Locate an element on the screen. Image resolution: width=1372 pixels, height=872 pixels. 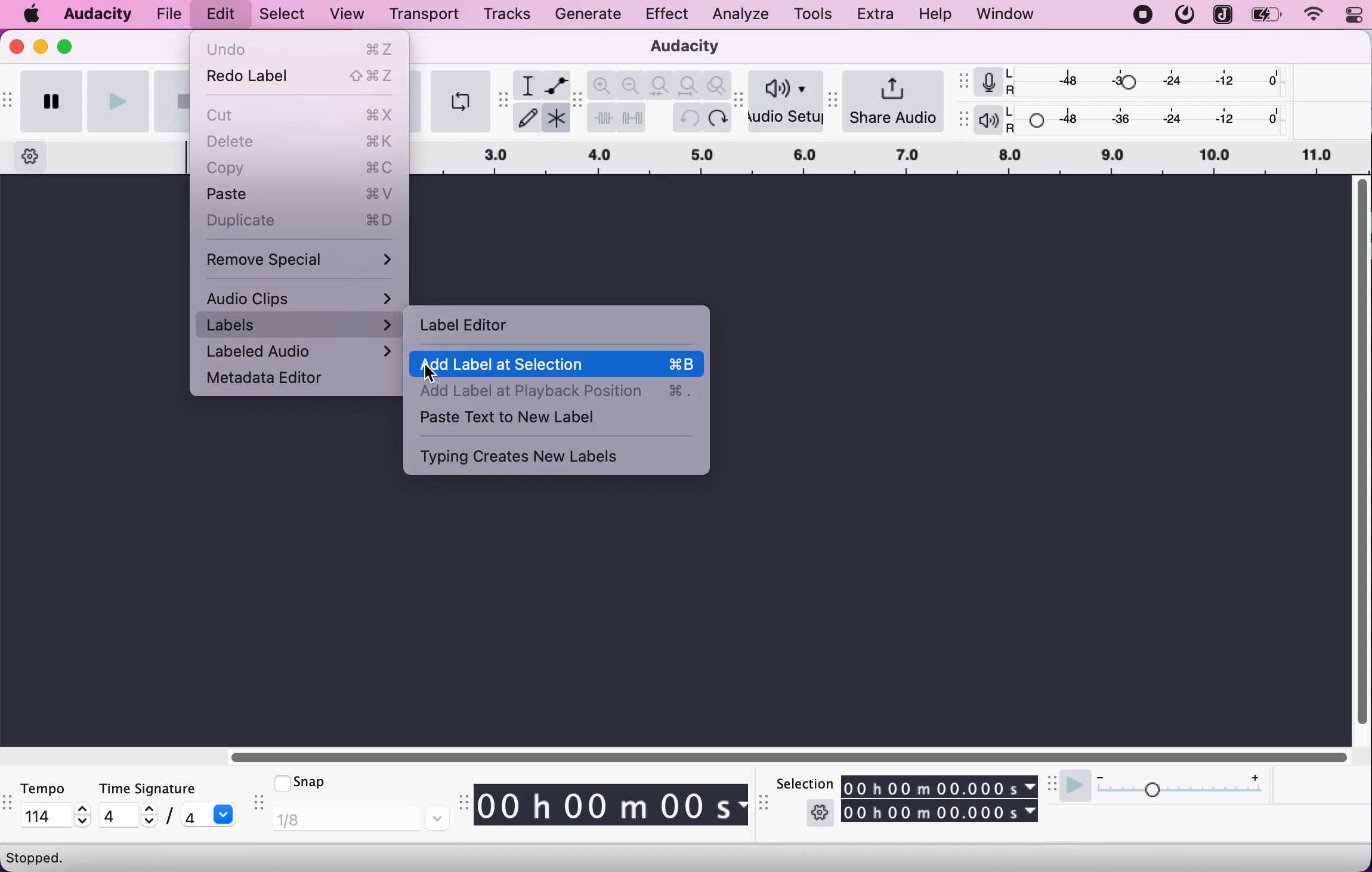
battery is located at coordinates (1268, 15).